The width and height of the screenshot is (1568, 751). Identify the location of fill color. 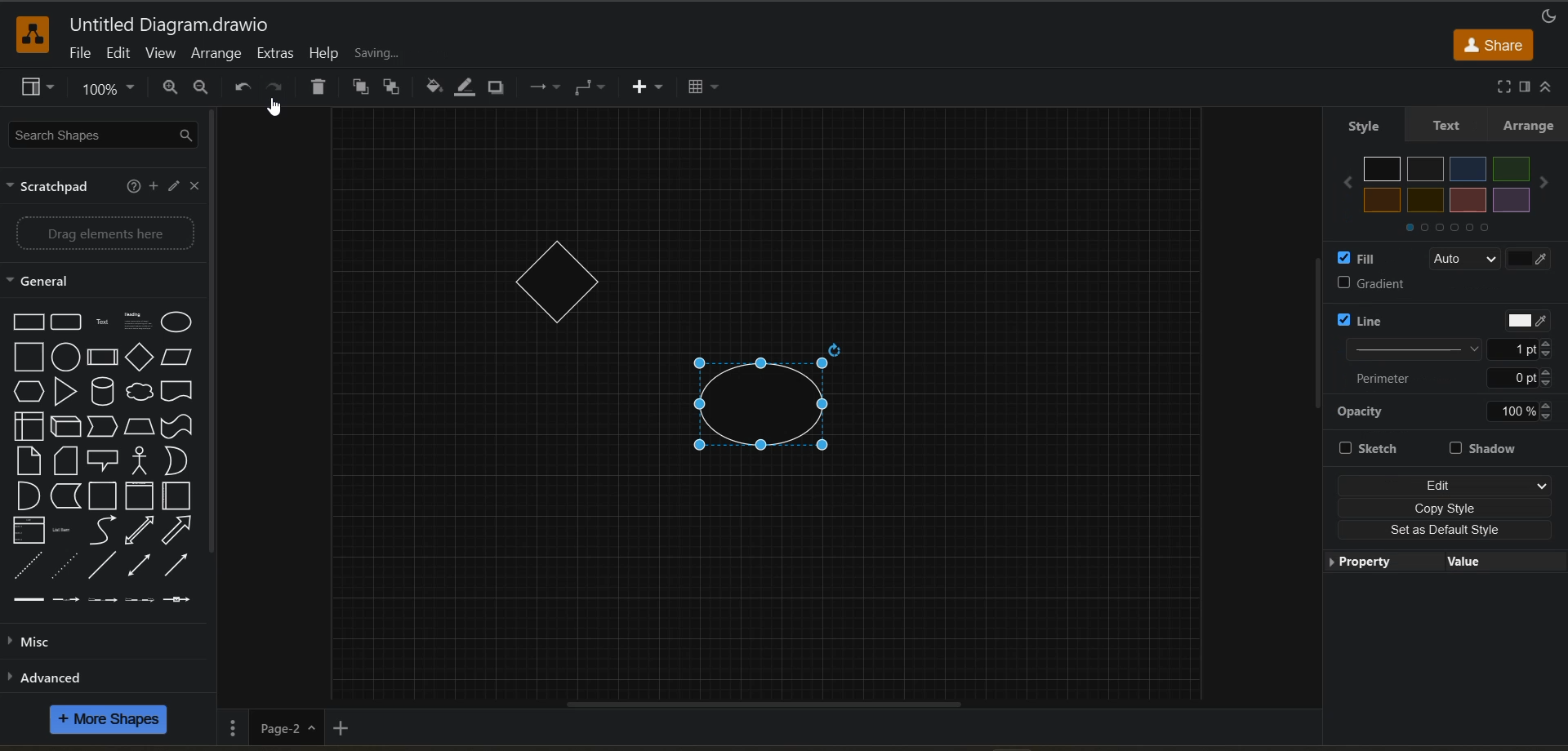
(436, 89).